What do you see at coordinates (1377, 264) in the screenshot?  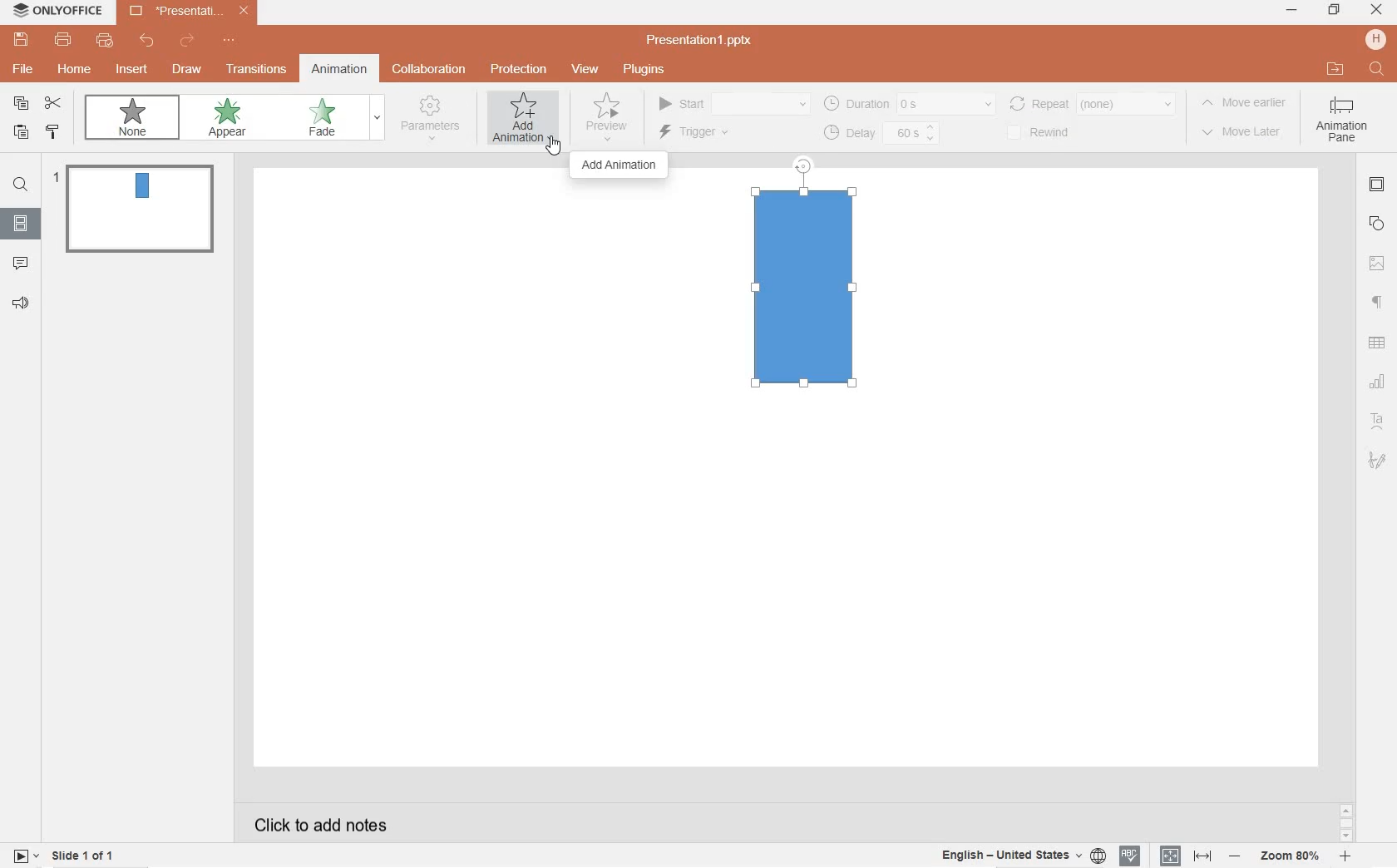 I see `image settings` at bounding box center [1377, 264].